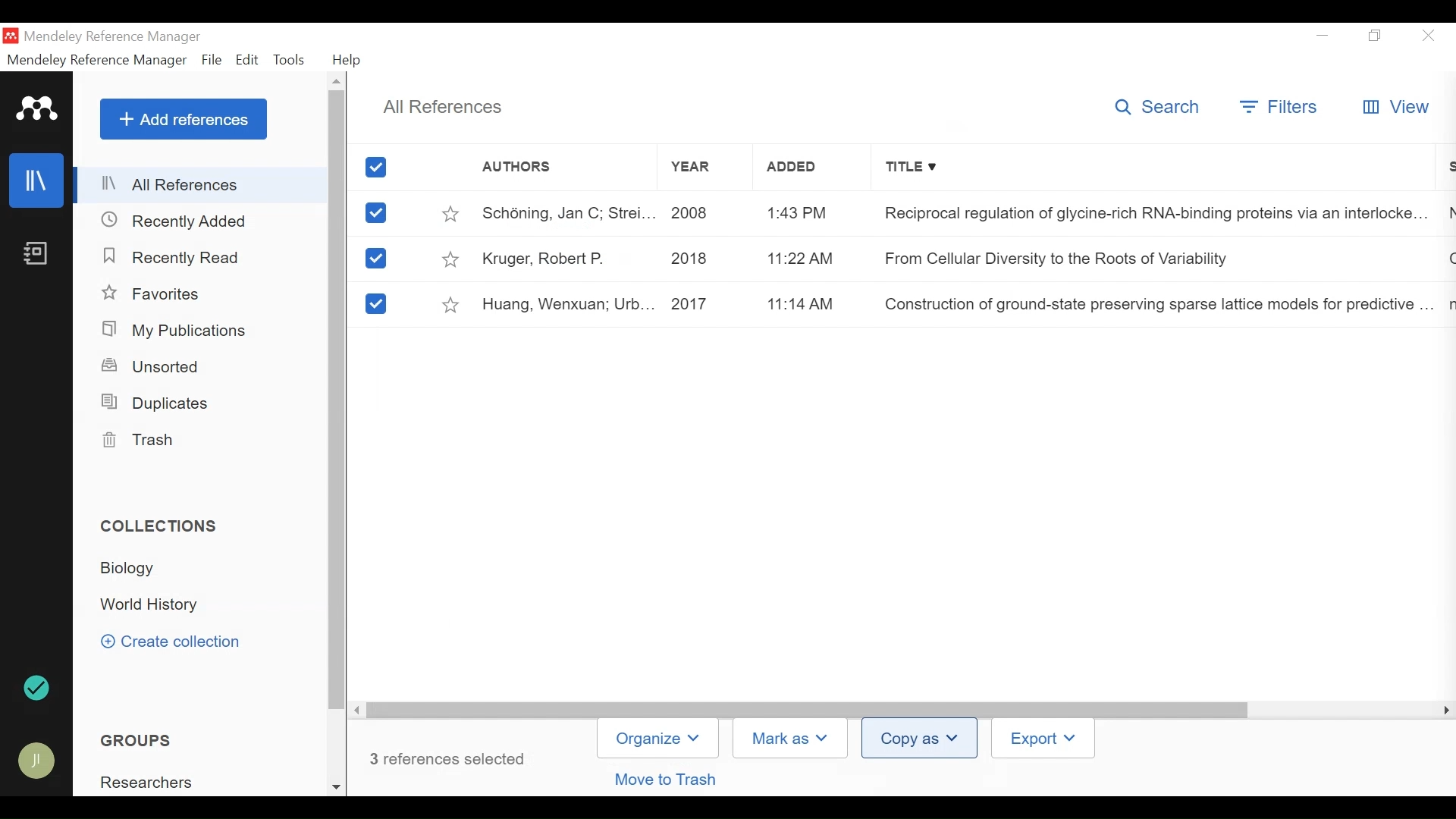 This screenshot has width=1456, height=819. I want to click on 2018, so click(701, 258).